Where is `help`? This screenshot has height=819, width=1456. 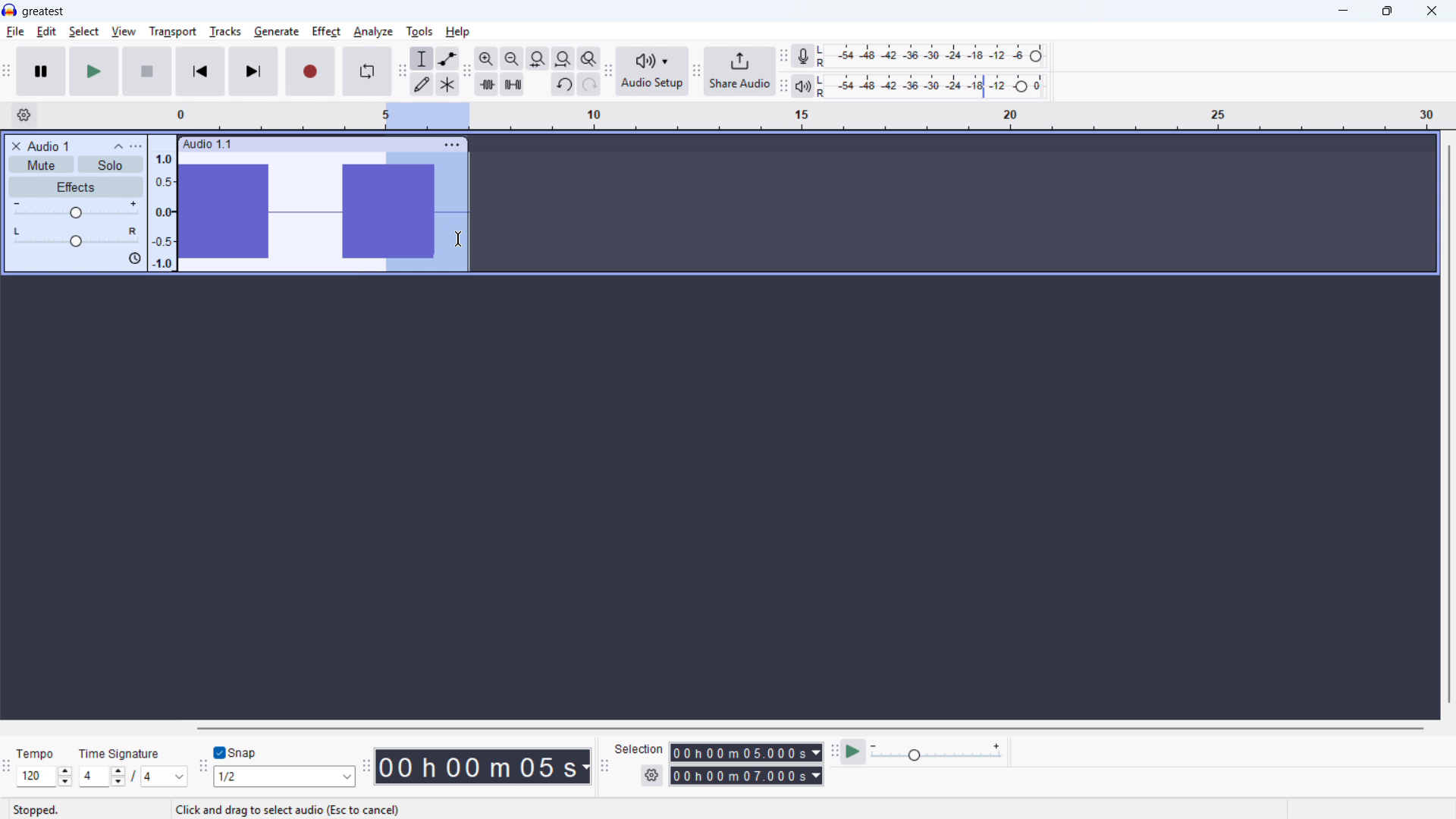 help is located at coordinates (458, 32).